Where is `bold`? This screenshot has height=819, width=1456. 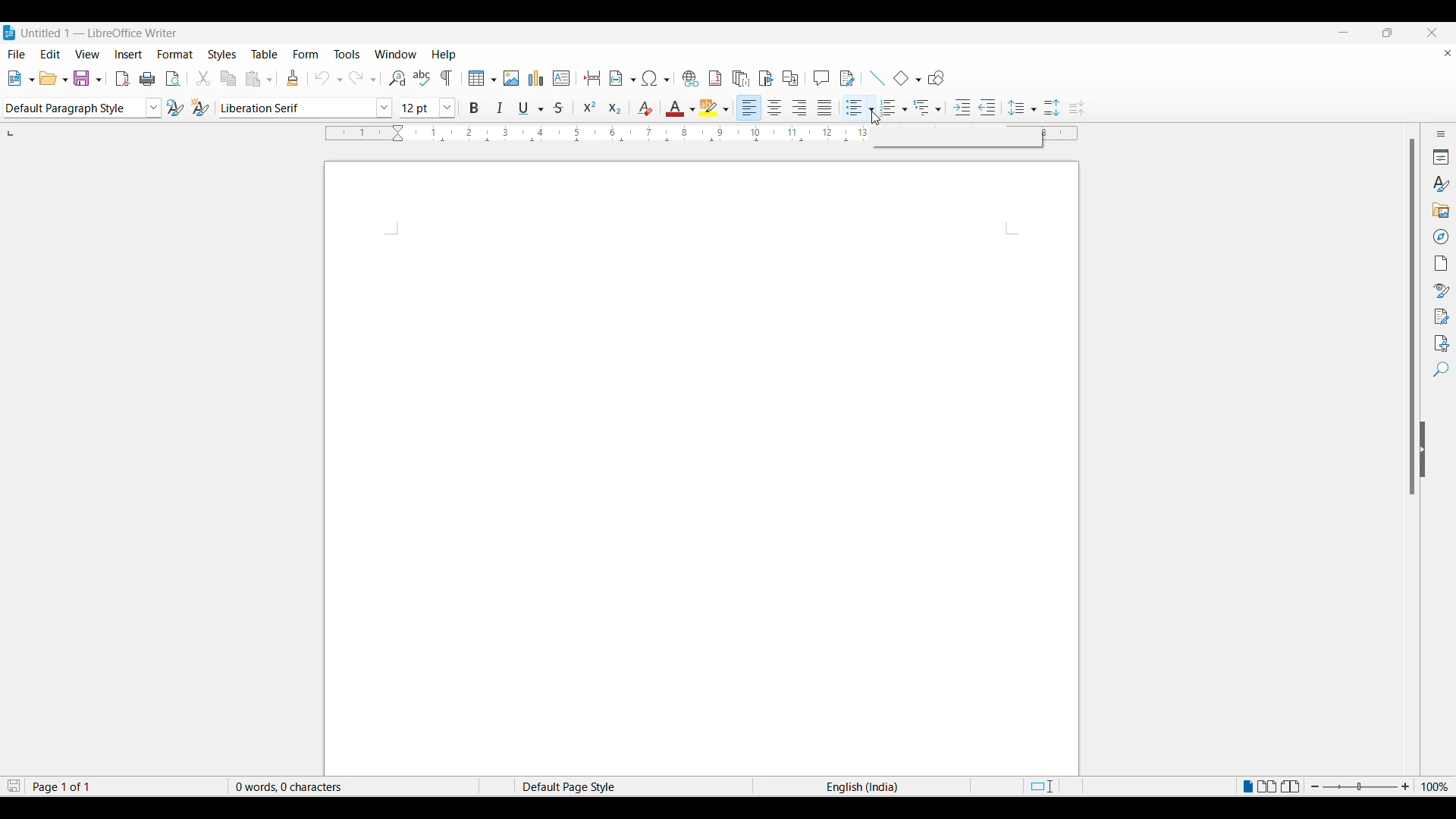 bold is located at coordinates (474, 108).